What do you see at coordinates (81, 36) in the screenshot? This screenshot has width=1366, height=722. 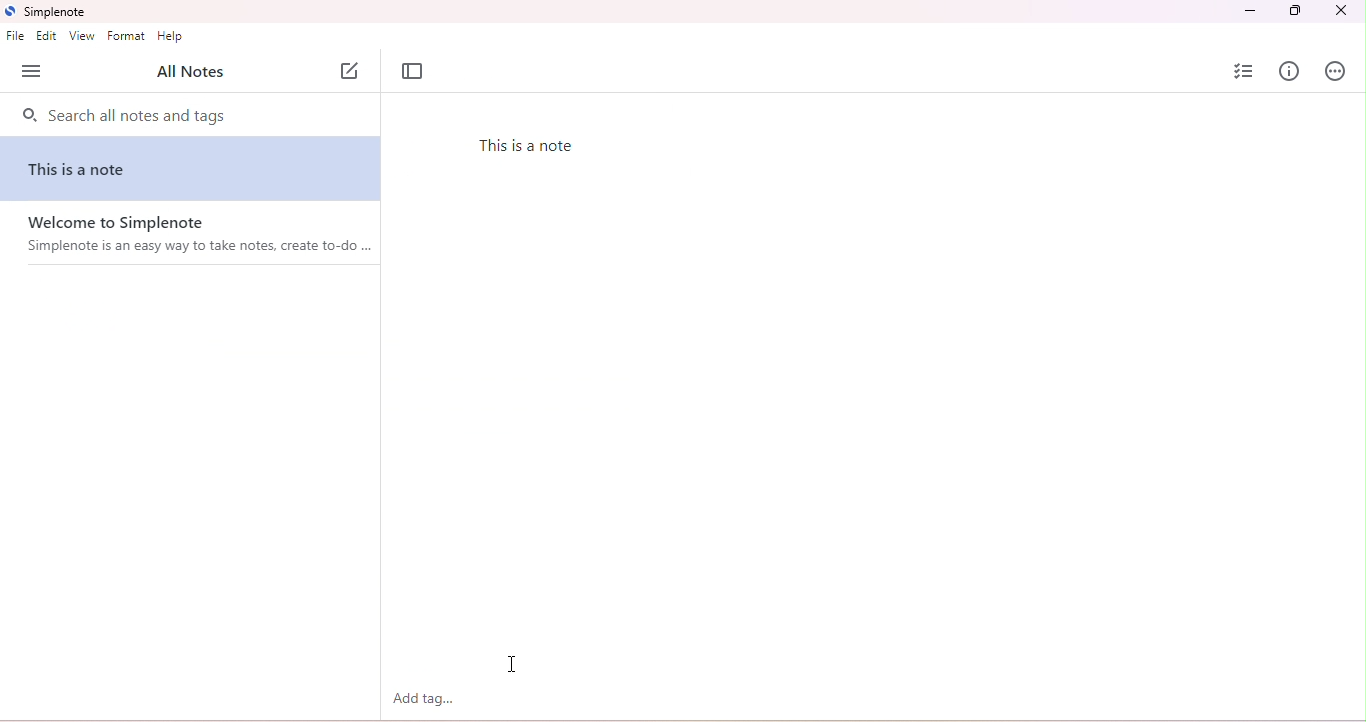 I see `view` at bounding box center [81, 36].